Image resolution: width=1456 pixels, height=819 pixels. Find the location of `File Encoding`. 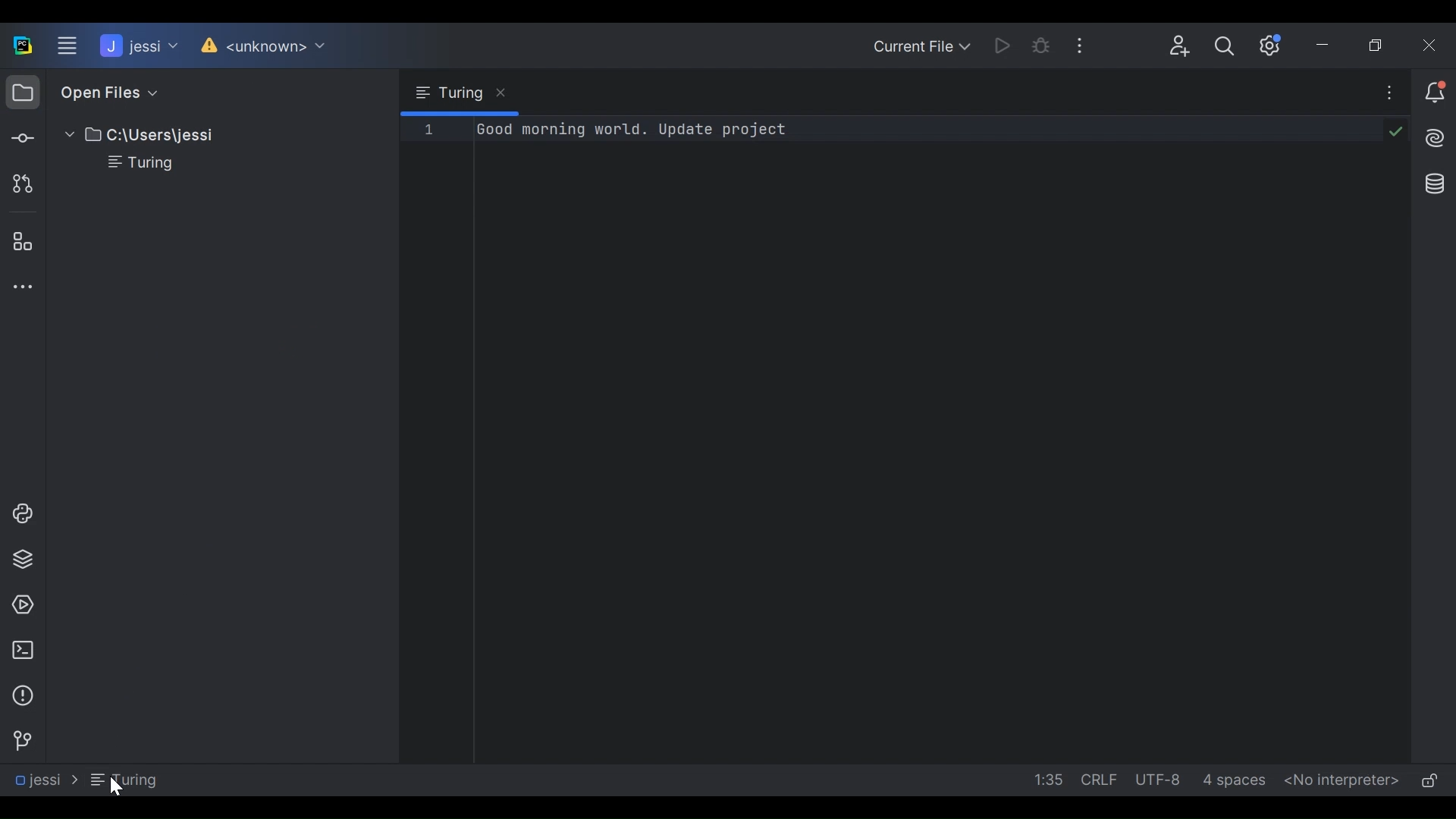

File Encoding is located at coordinates (1159, 779).